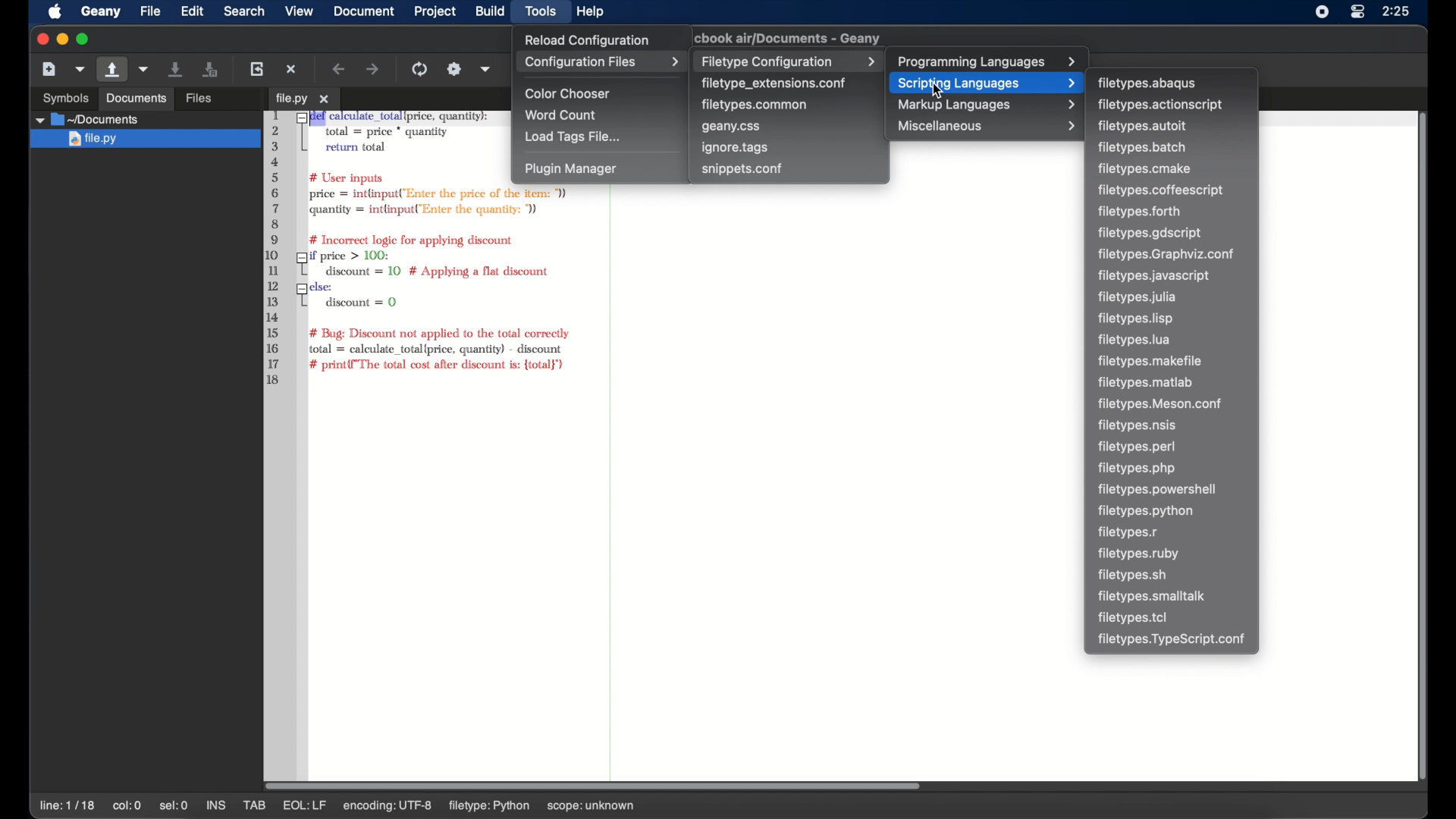  What do you see at coordinates (300, 11) in the screenshot?
I see `view` at bounding box center [300, 11].